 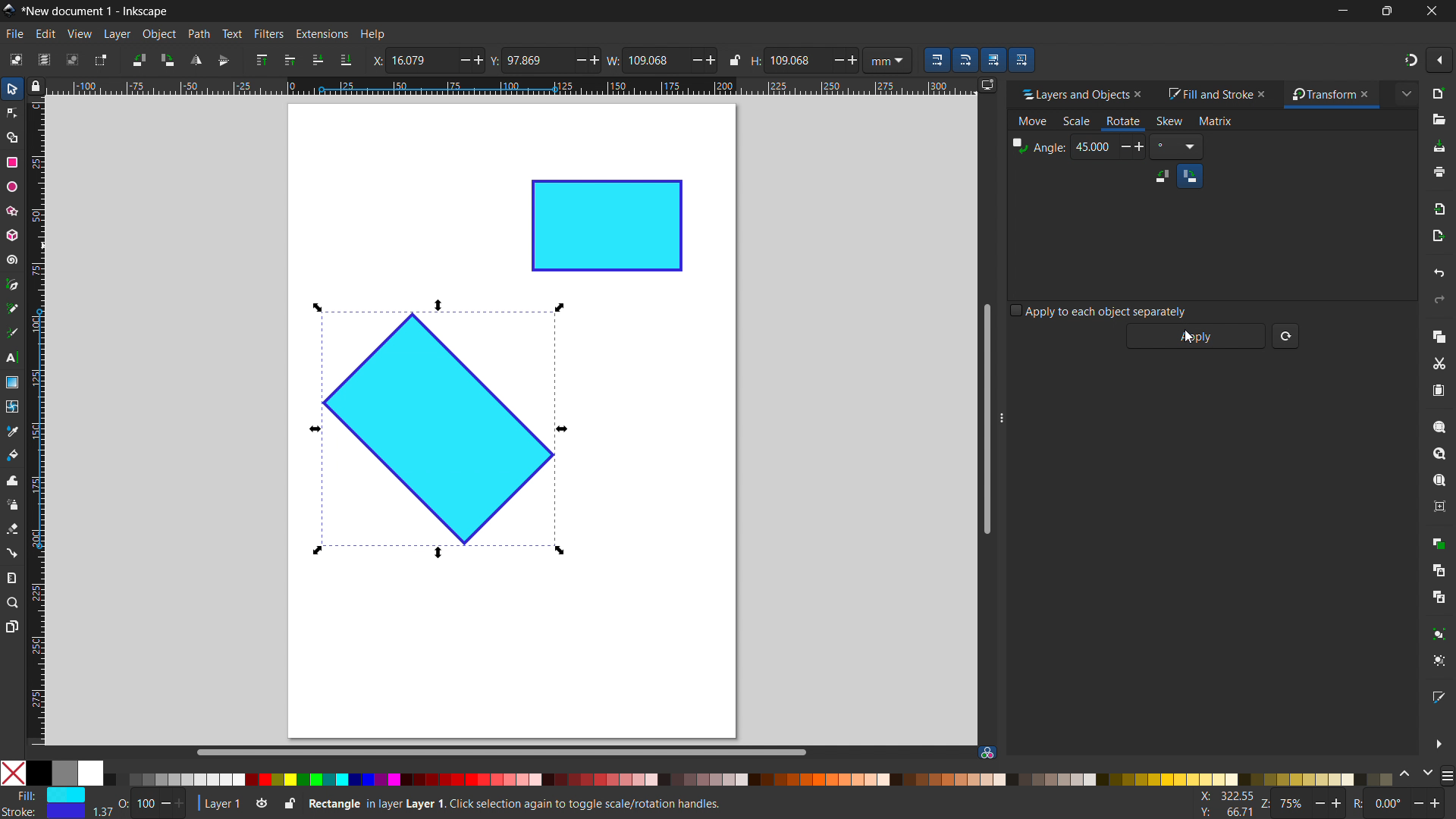 I want to click on rotate 90 ccw, so click(x=137, y=59).